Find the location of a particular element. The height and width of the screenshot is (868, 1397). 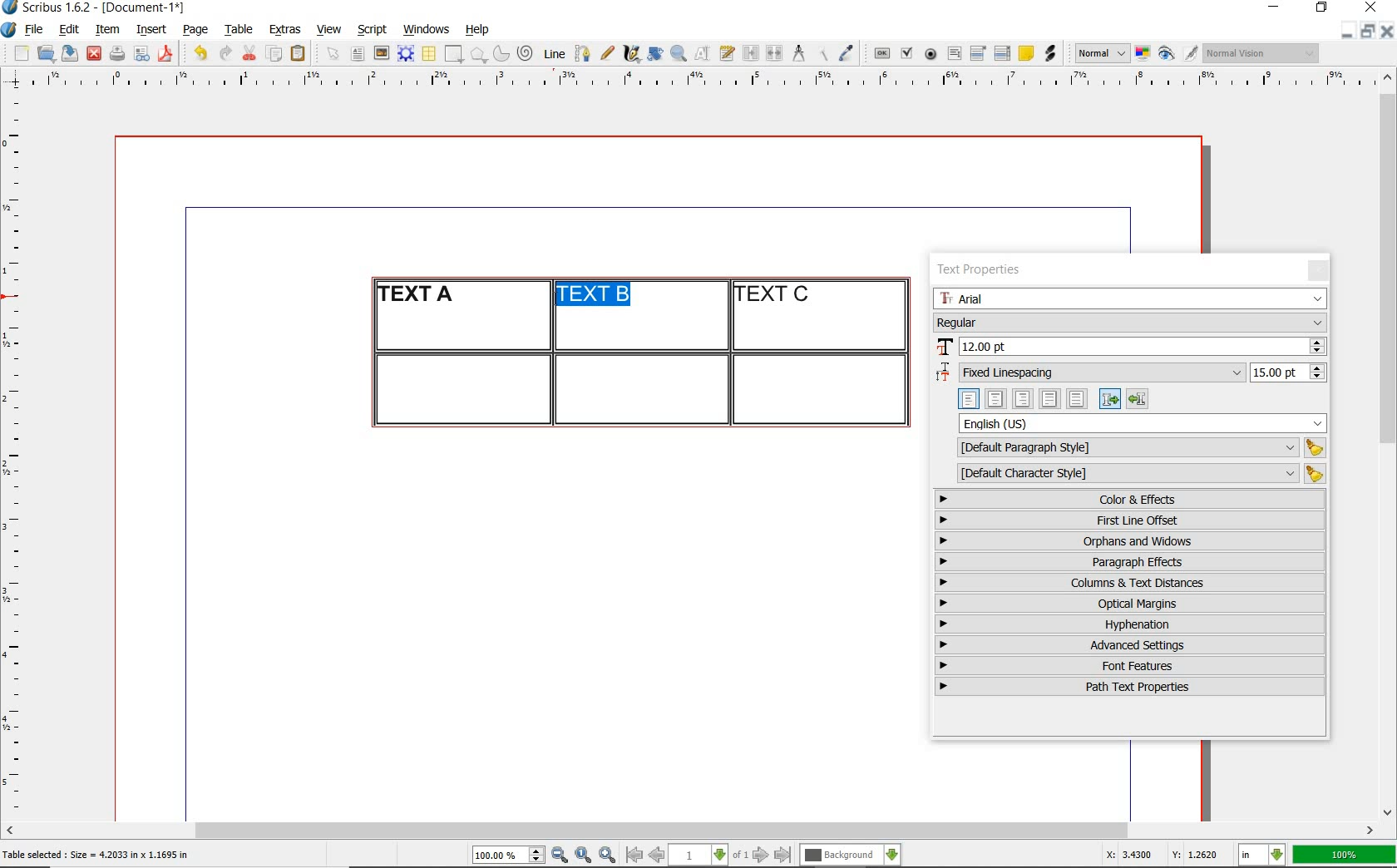

go to last page is located at coordinates (783, 856).